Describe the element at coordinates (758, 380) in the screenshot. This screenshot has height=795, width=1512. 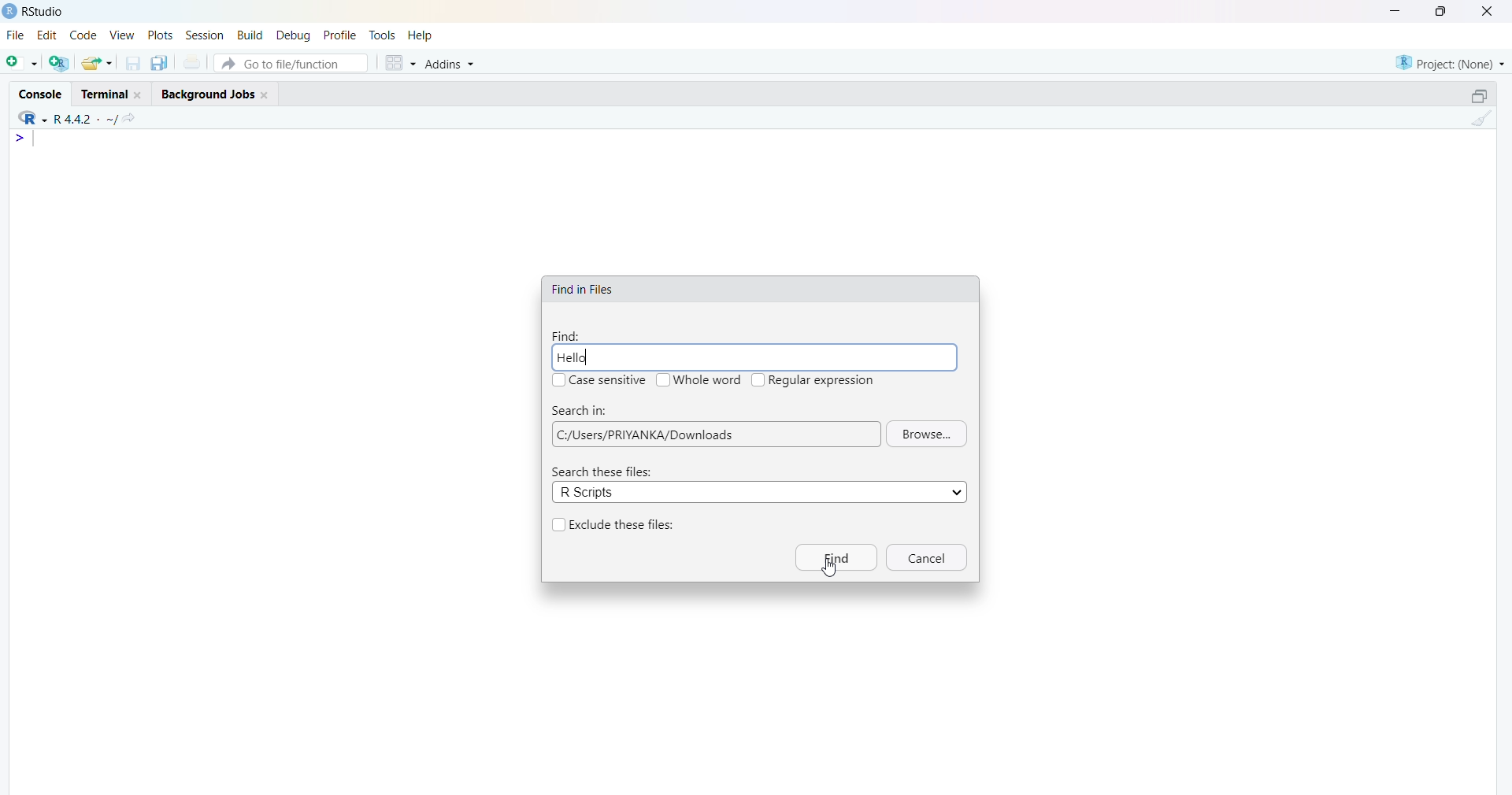
I see `checkbox` at that location.